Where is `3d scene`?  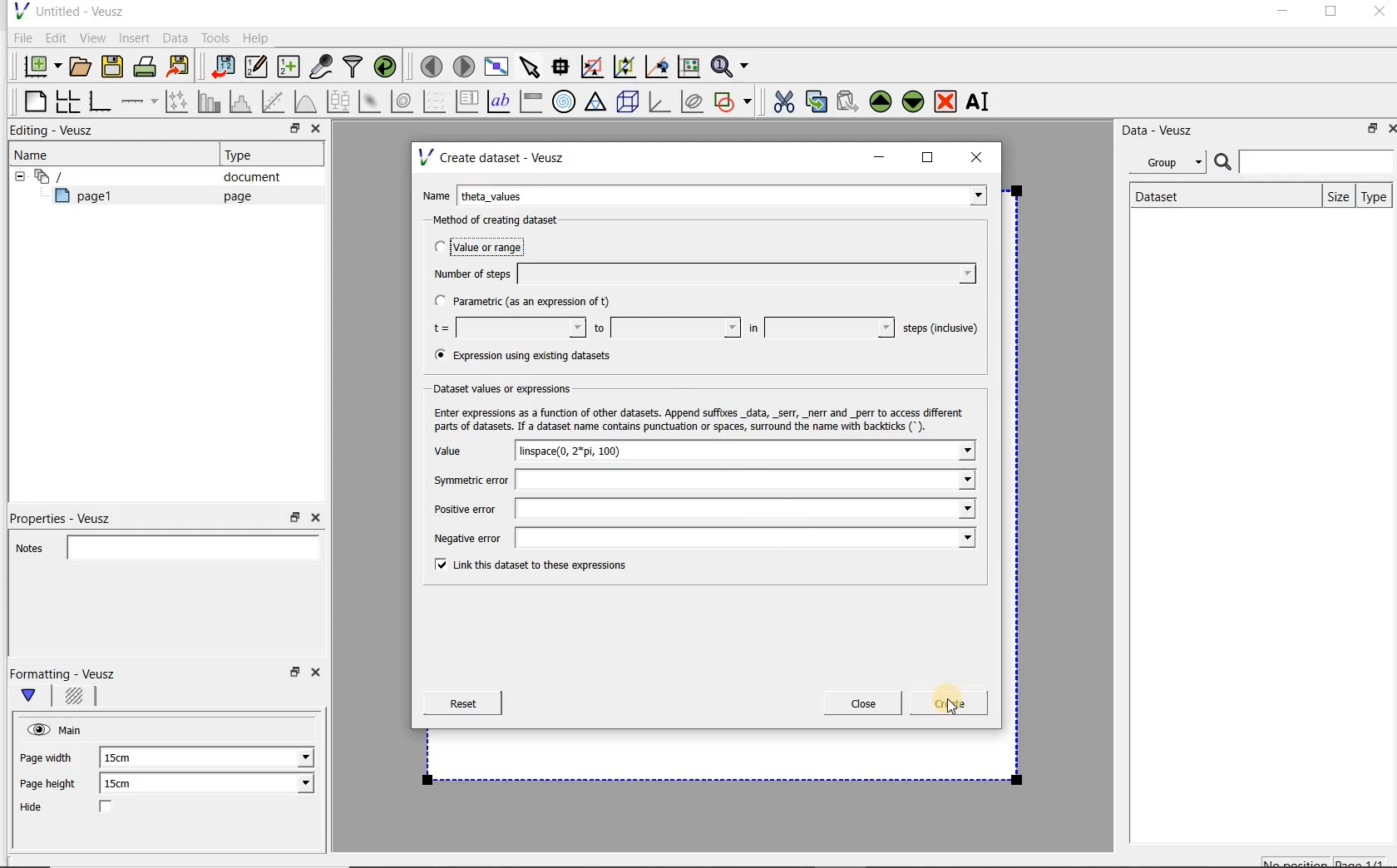
3d scene is located at coordinates (629, 103).